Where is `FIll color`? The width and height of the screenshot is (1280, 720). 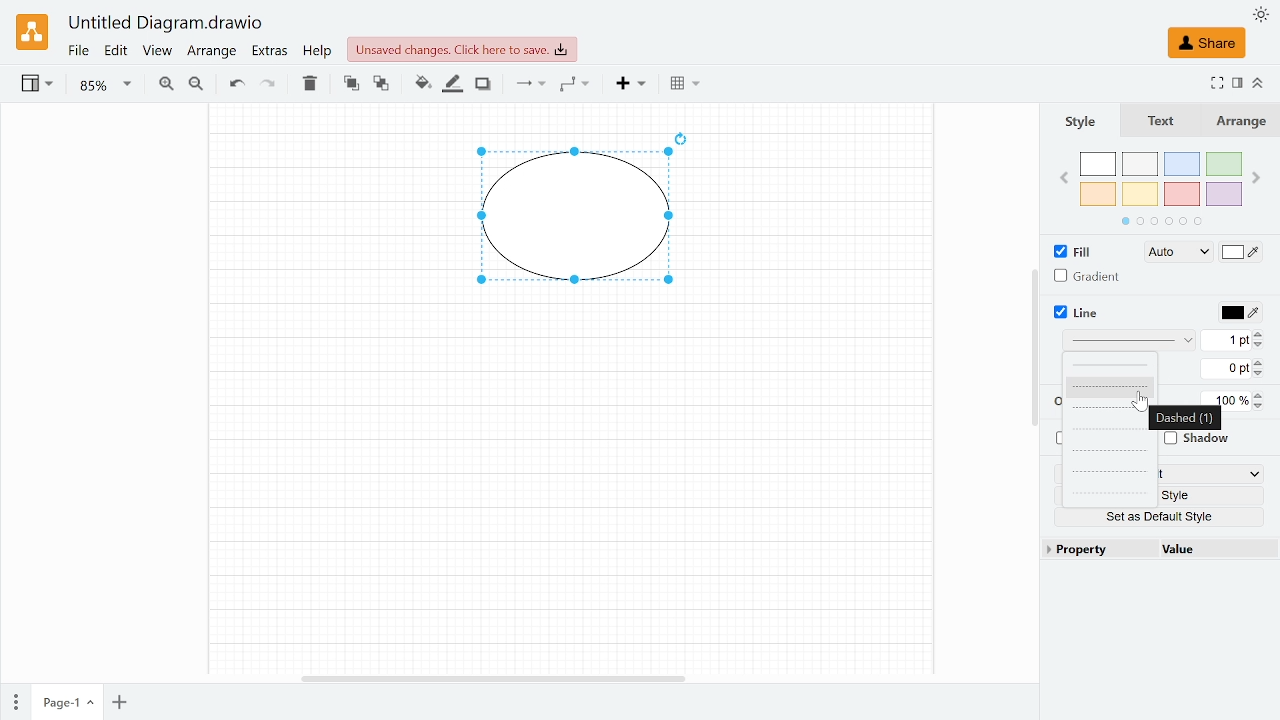 FIll color is located at coordinates (1241, 252).